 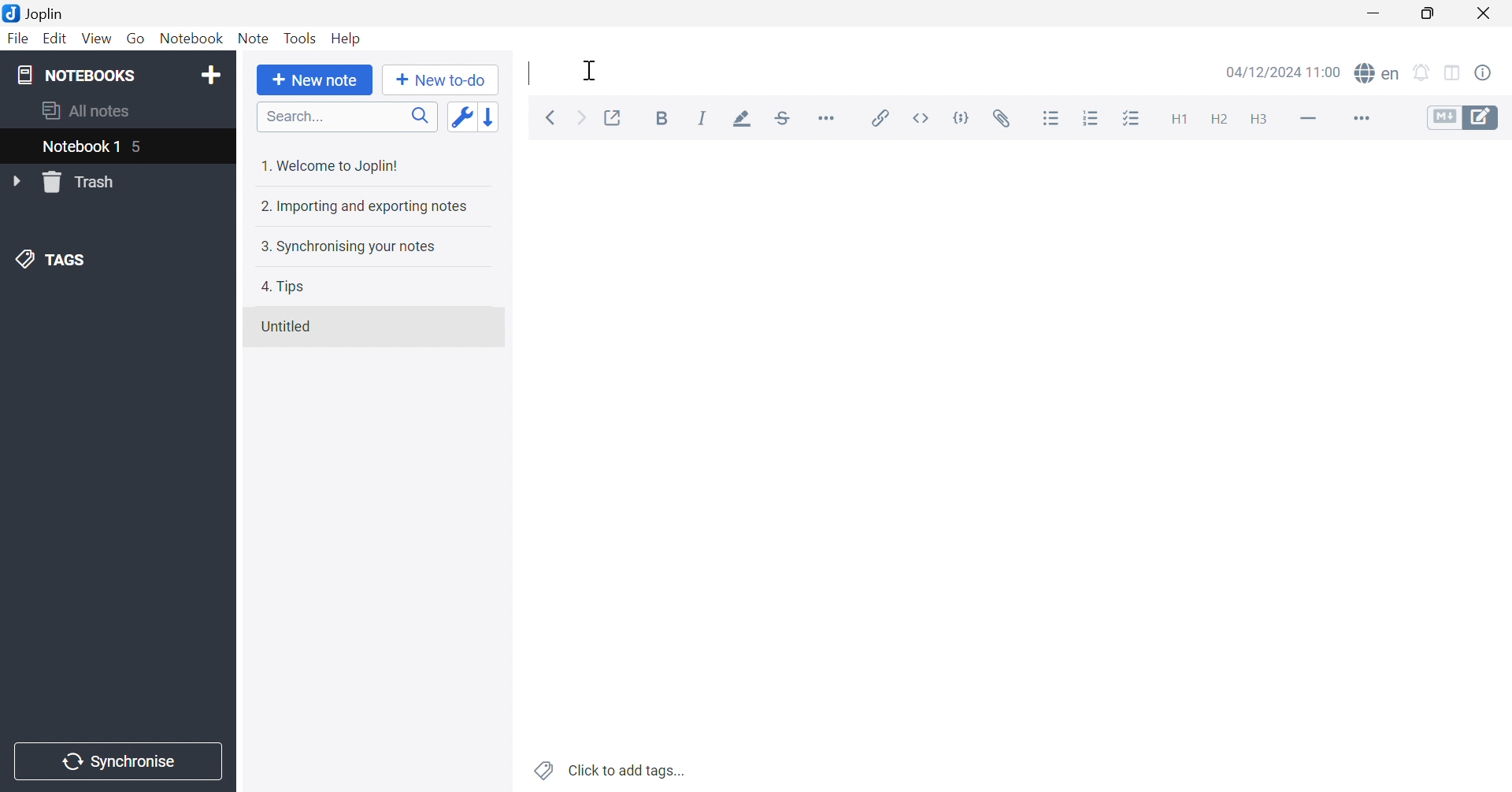 What do you see at coordinates (1363, 120) in the screenshot?
I see `More` at bounding box center [1363, 120].